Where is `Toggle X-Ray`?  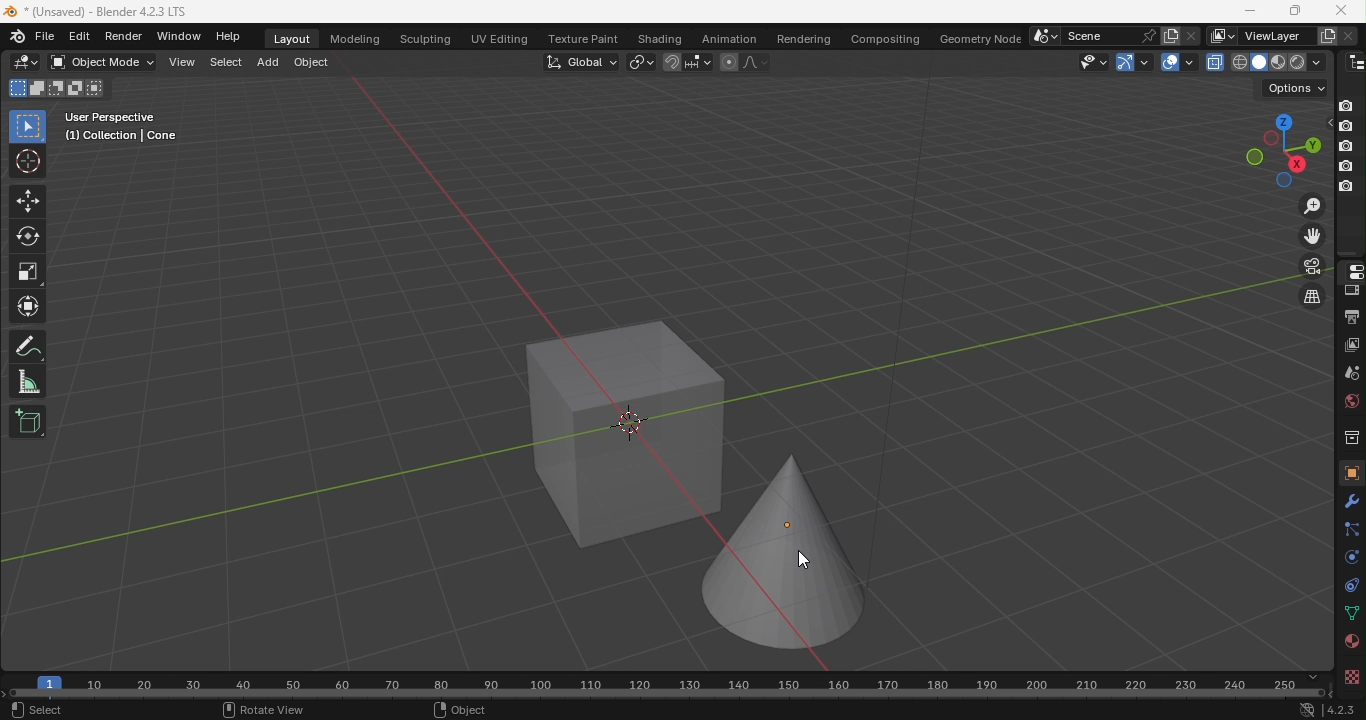
Toggle X-Ray is located at coordinates (1216, 61).